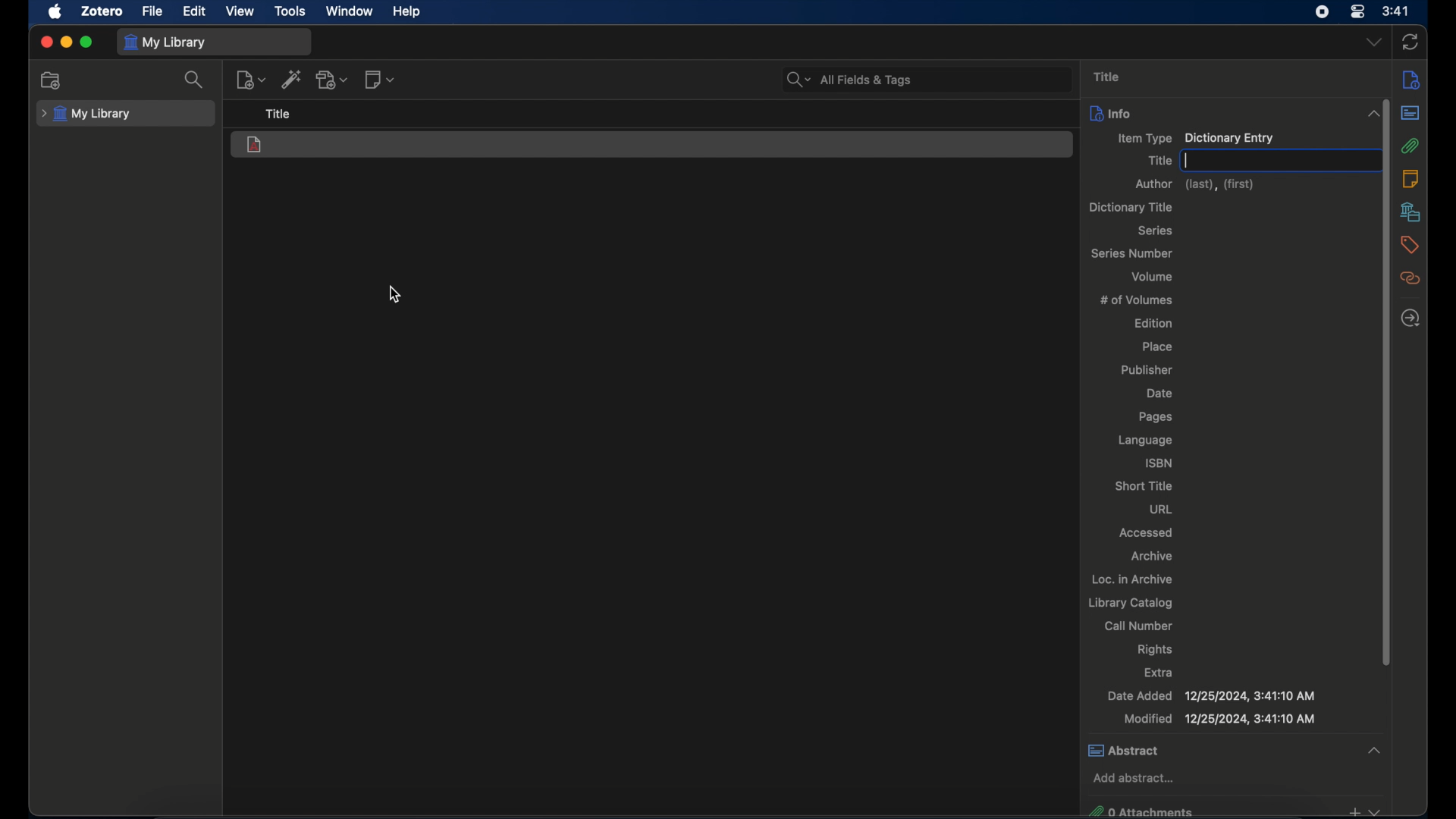 This screenshot has height=819, width=1456. What do you see at coordinates (52, 80) in the screenshot?
I see `new collection` at bounding box center [52, 80].